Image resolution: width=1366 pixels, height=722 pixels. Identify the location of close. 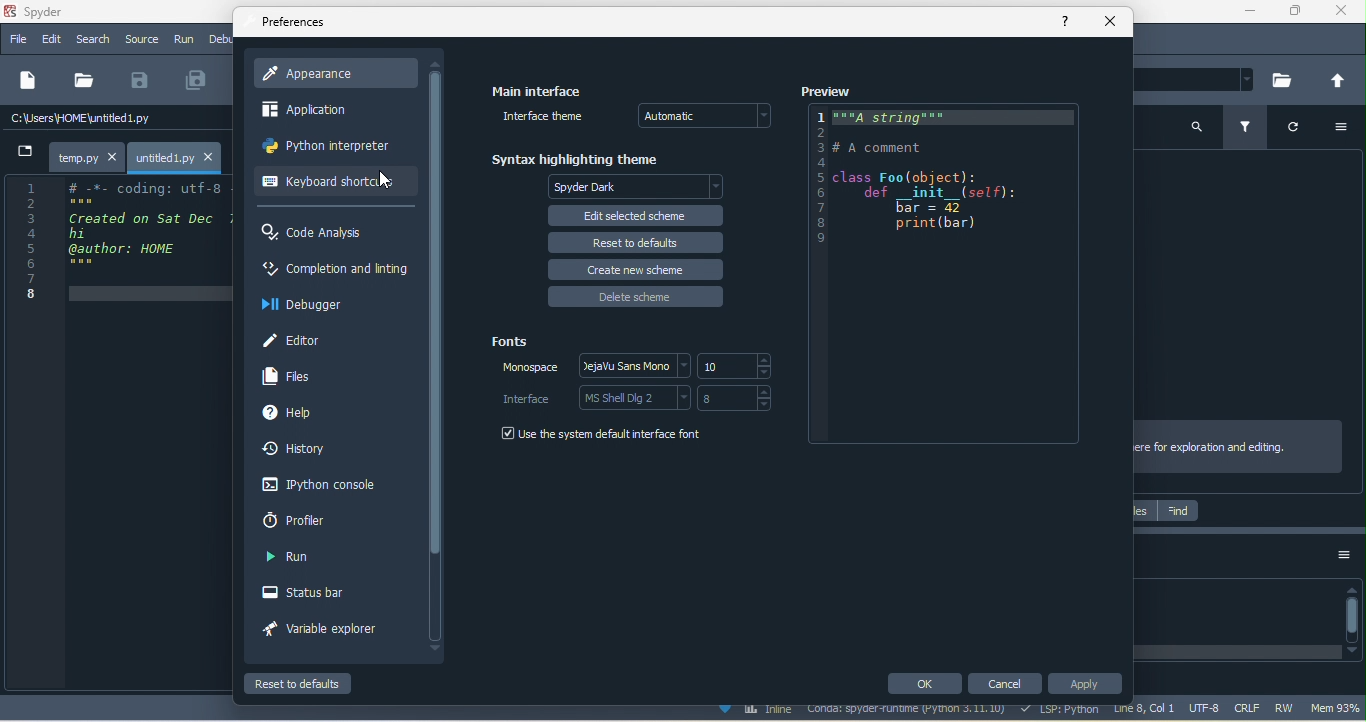
(1341, 13).